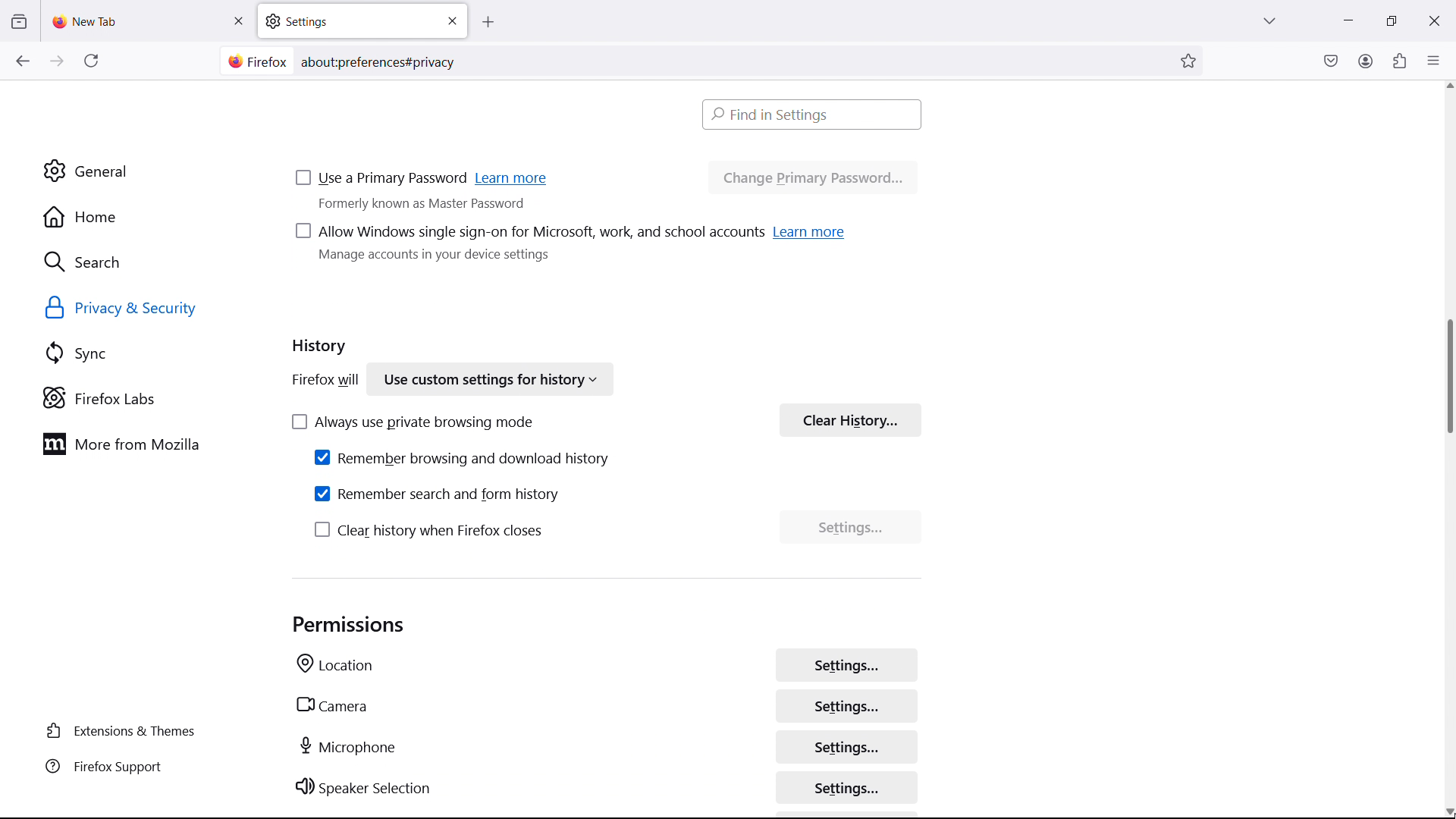 This screenshot has width=1456, height=819. Describe the element at coordinates (1433, 18) in the screenshot. I see `close` at that location.